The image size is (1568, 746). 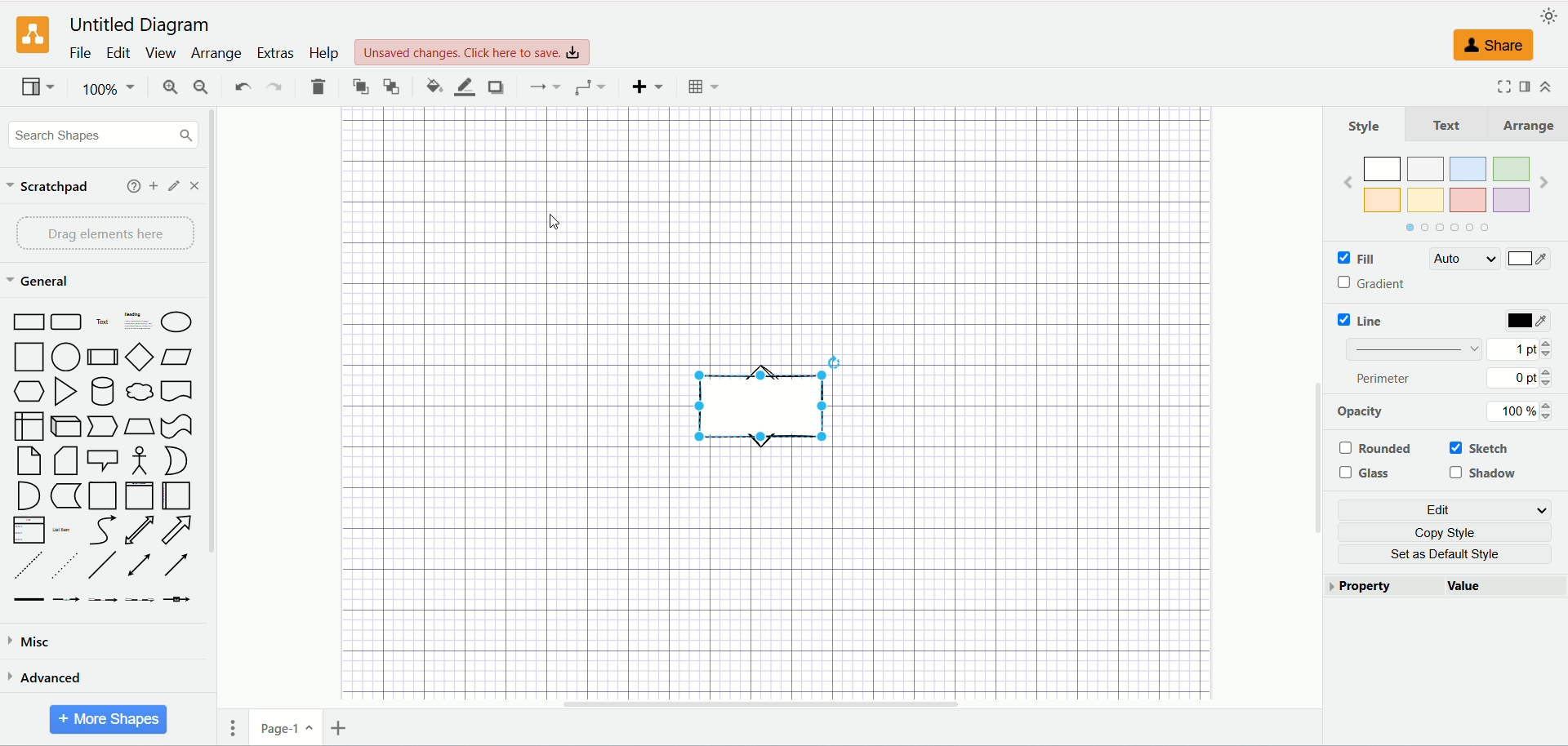 I want to click on edit, so click(x=1446, y=510).